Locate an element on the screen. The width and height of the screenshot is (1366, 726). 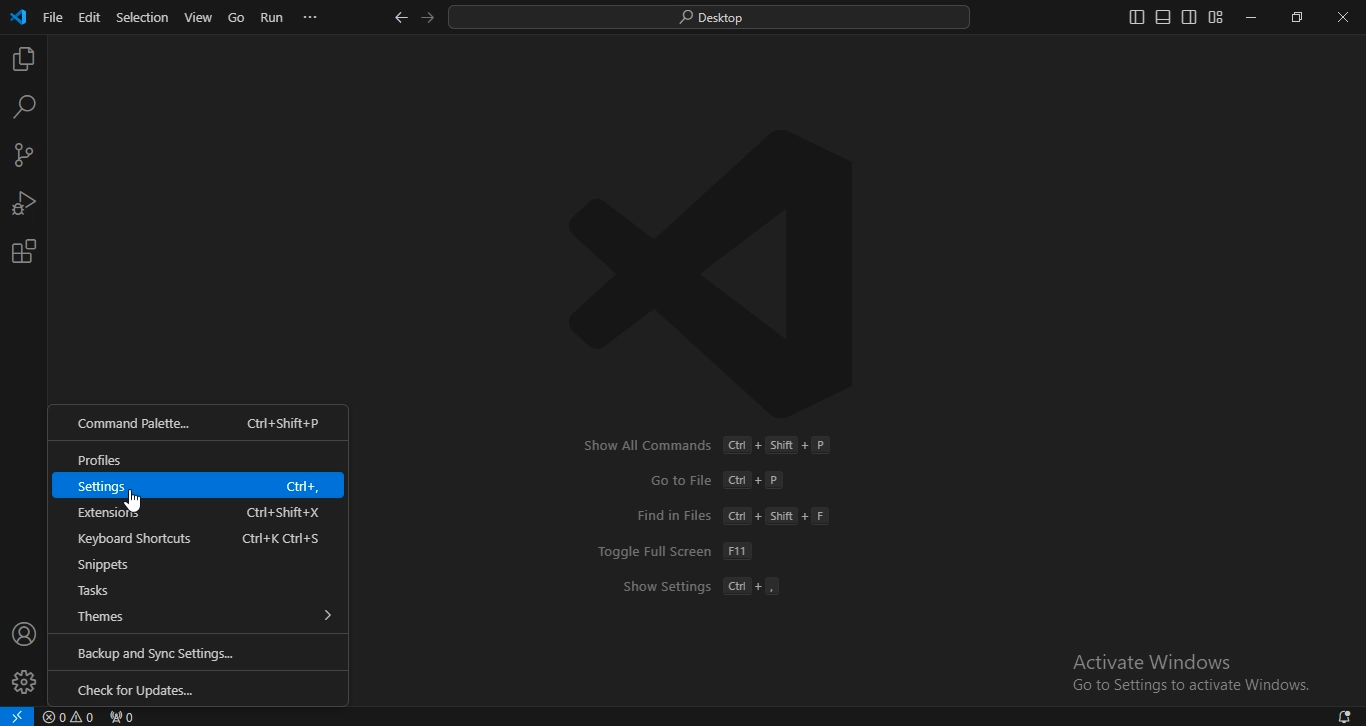
selection is located at coordinates (144, 18).